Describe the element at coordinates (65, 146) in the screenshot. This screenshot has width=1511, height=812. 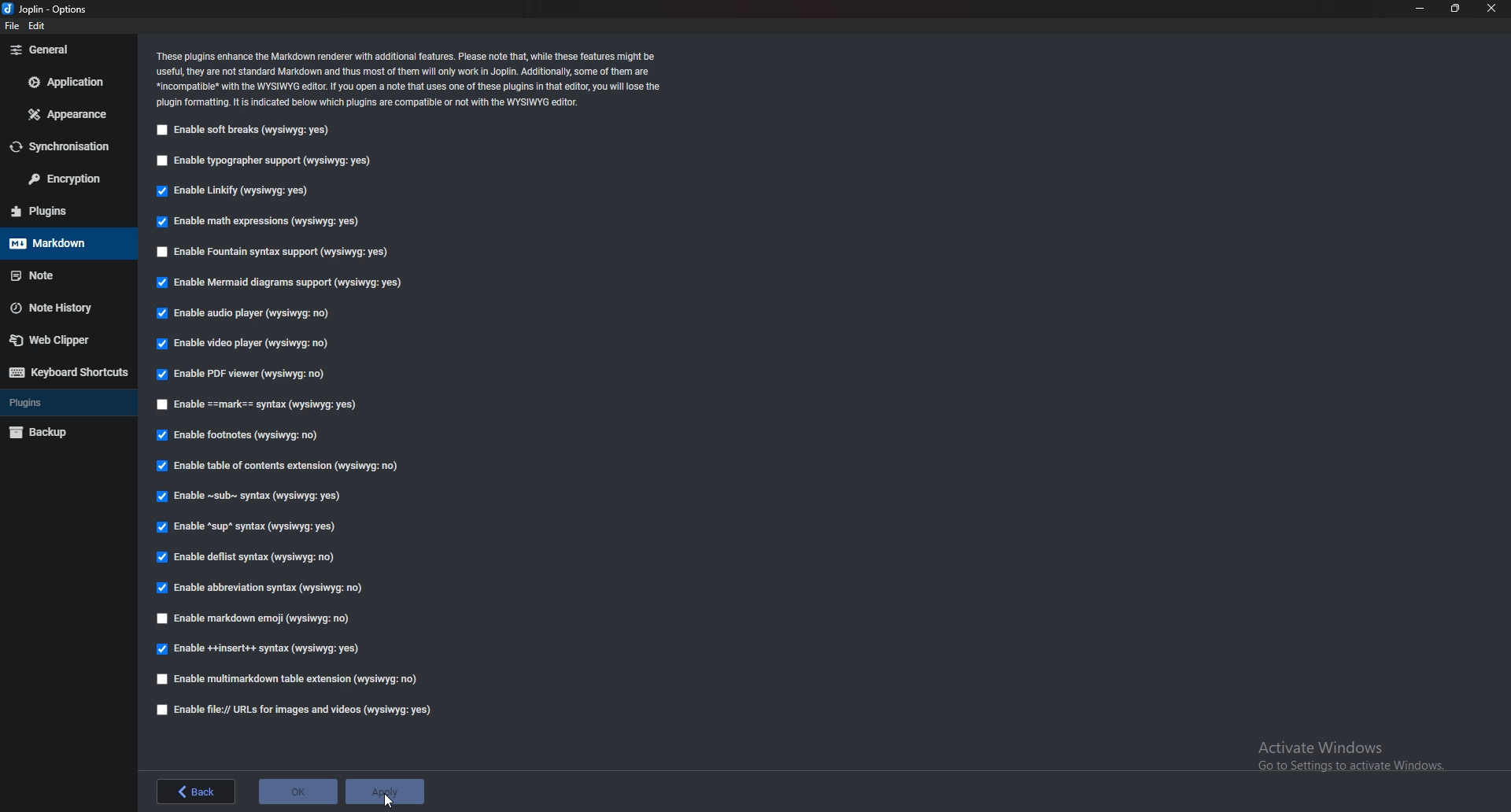
I see `sync` at that location.